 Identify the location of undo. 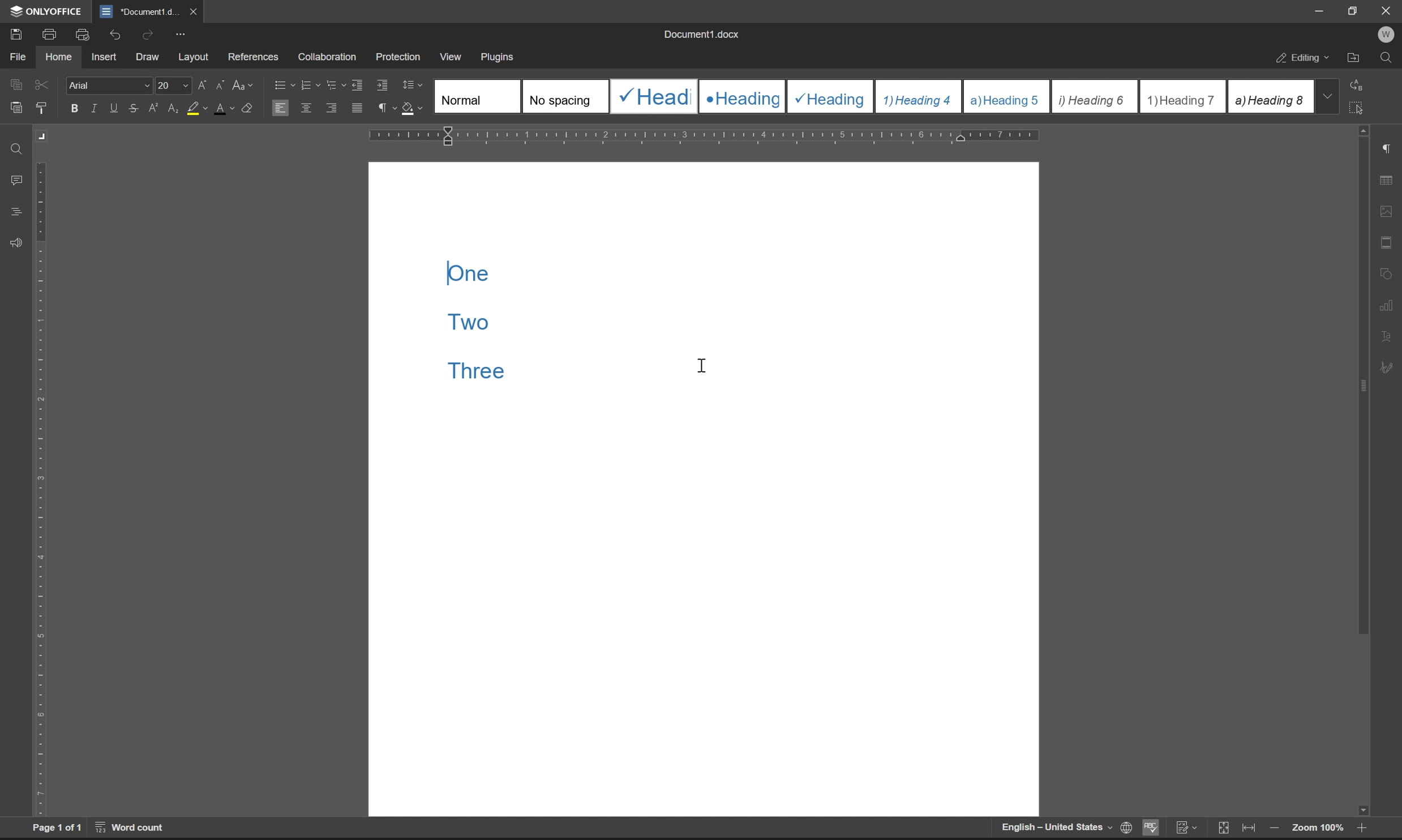
(113, 36).